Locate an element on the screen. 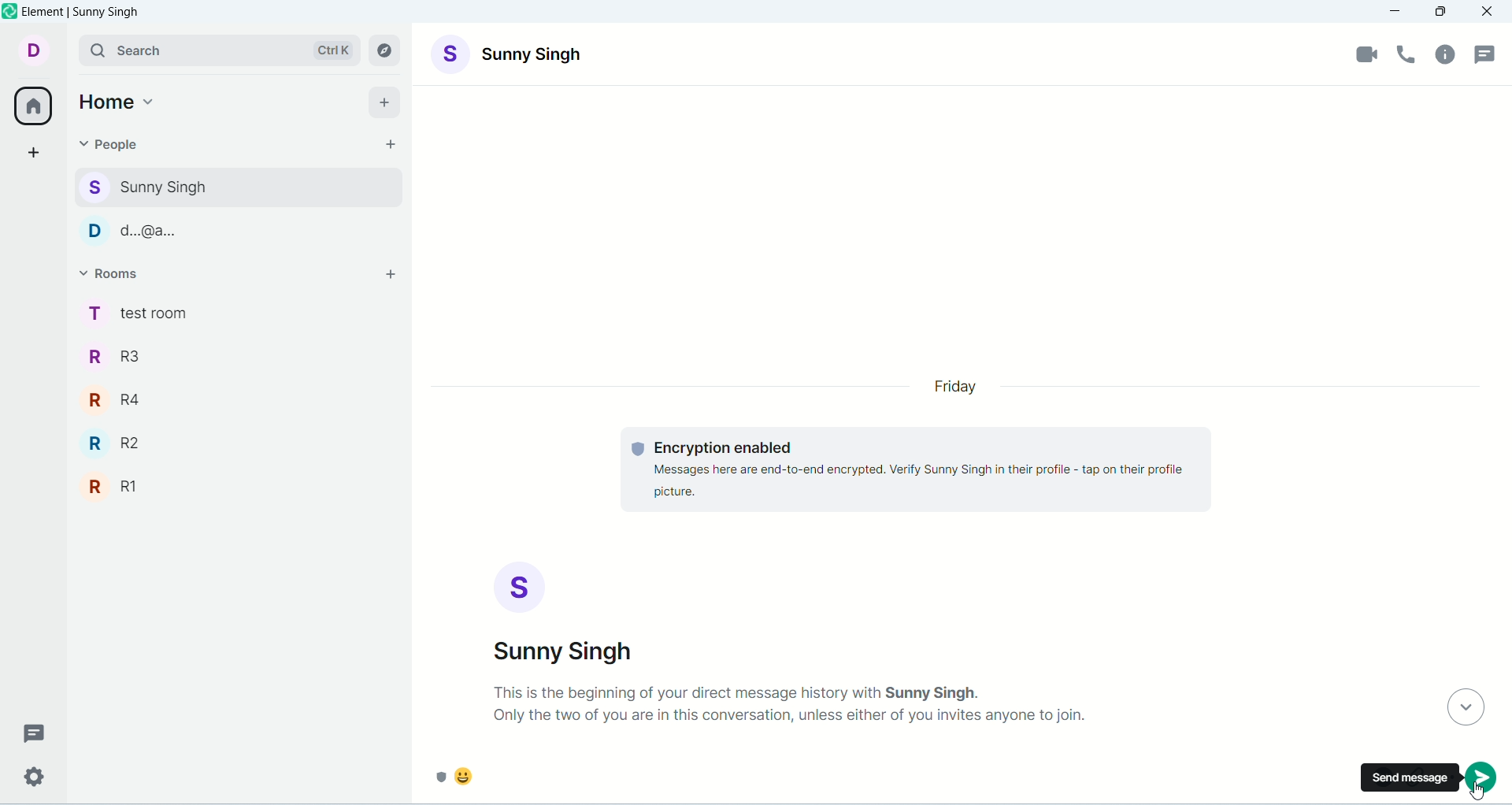  day is located at coordinates (958, 388).